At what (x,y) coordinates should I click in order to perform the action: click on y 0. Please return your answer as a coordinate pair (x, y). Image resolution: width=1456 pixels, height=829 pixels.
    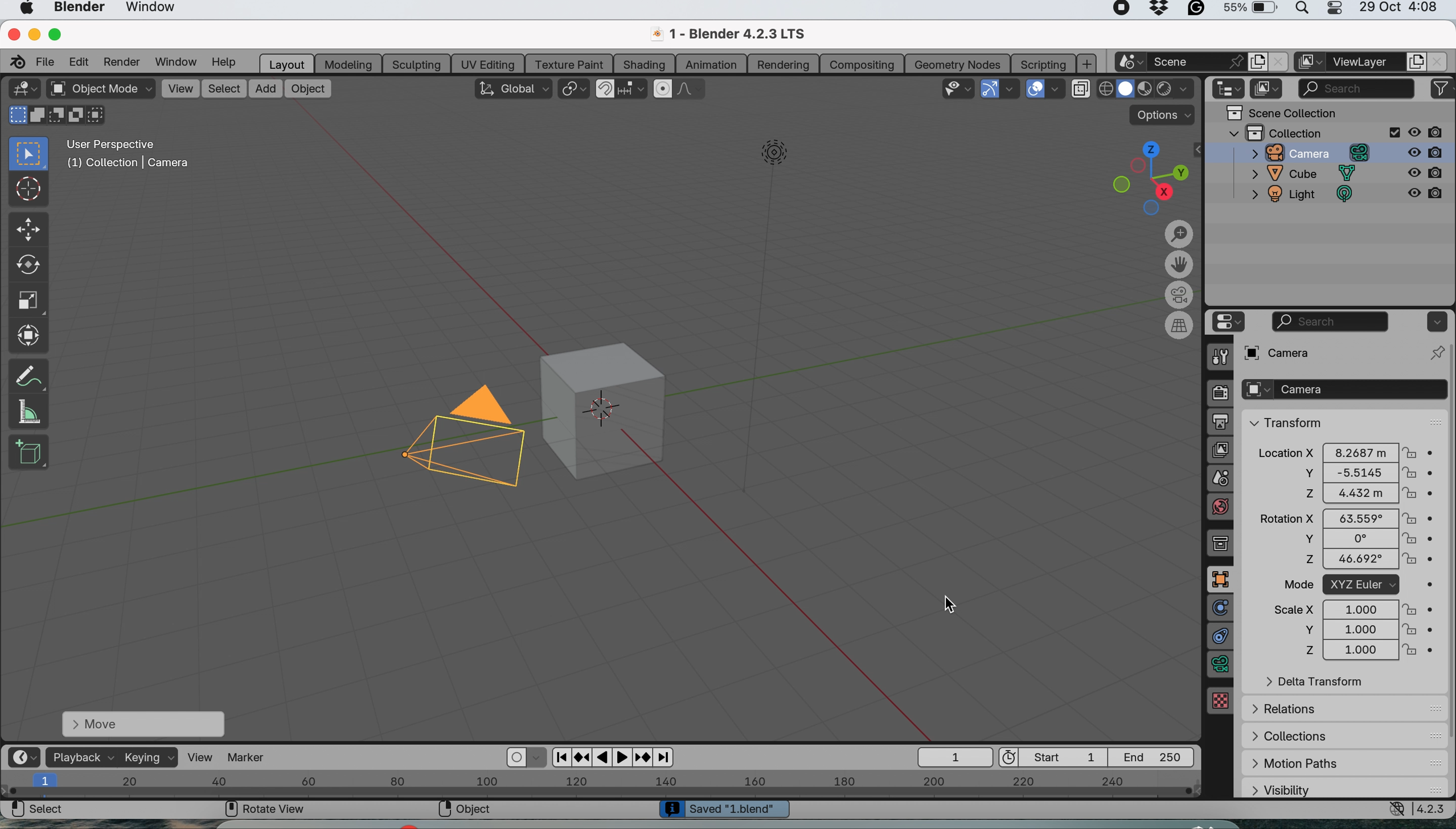
    Looking at the image, I should click on (1345, 539).